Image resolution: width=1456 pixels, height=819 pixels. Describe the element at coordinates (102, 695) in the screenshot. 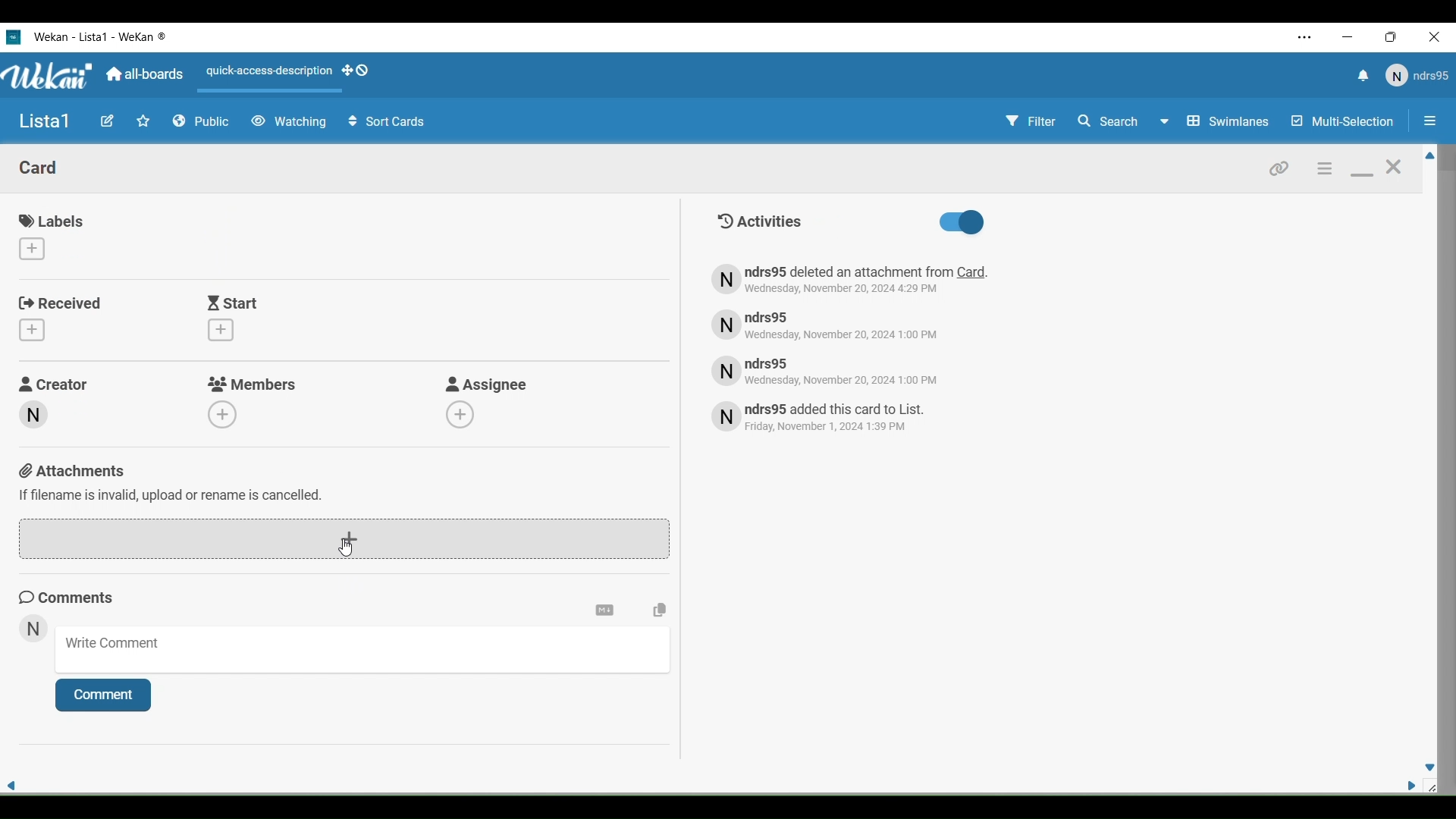

I see `Comment` at that location.